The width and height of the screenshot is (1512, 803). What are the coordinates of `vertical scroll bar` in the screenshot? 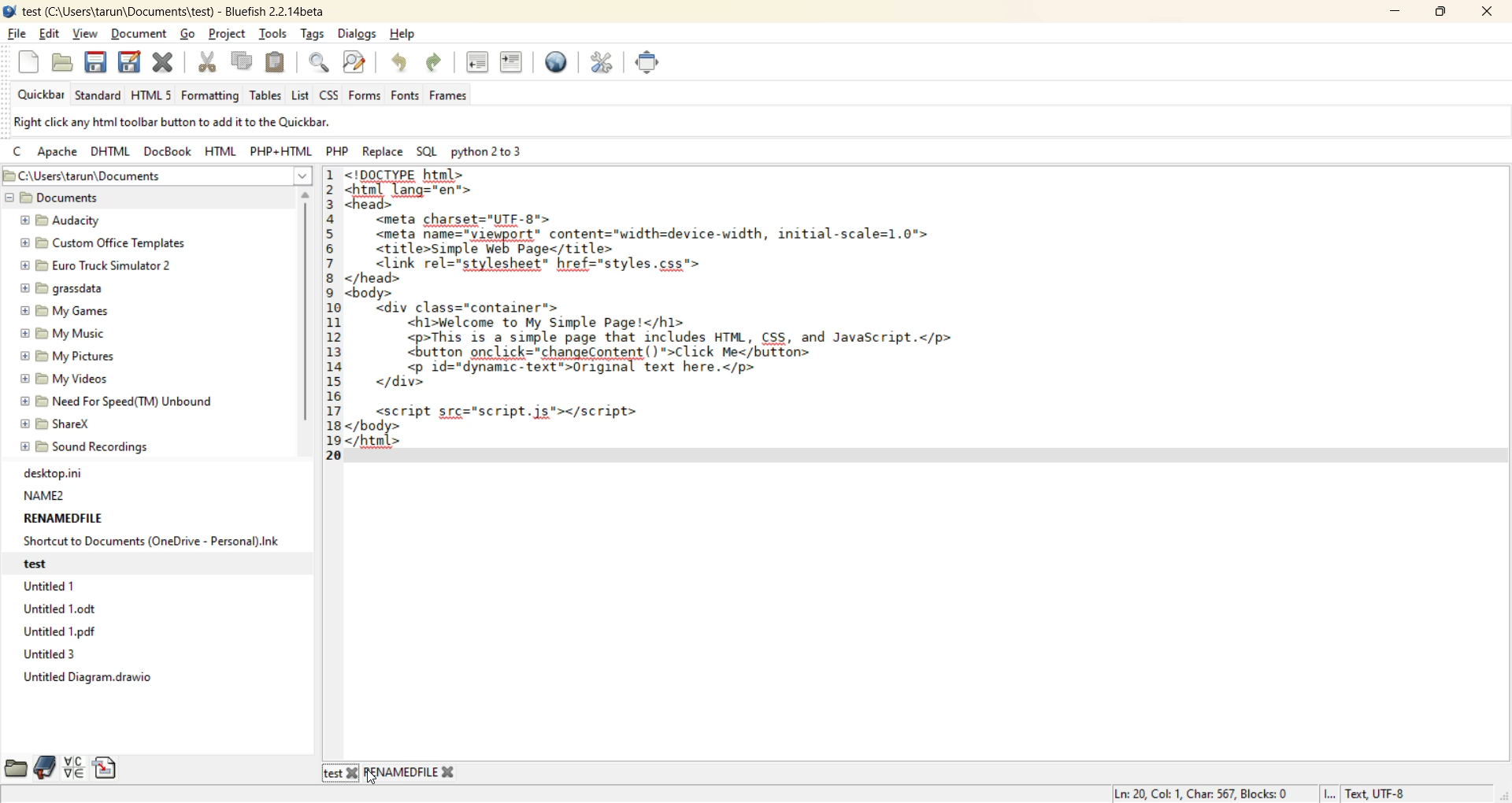 It's located at (306, 314).